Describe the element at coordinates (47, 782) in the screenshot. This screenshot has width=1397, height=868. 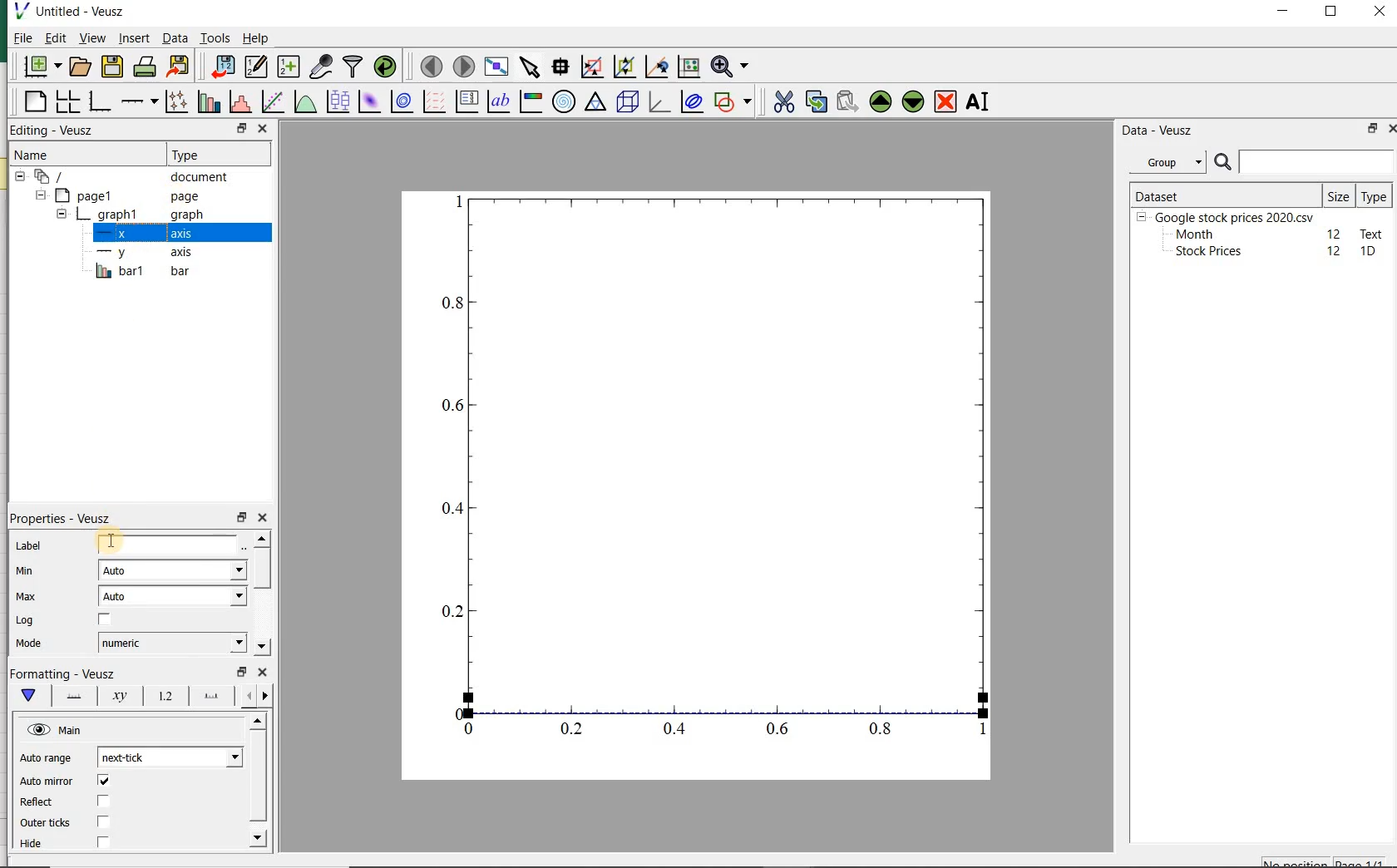
I see `Auto minor` at that location.